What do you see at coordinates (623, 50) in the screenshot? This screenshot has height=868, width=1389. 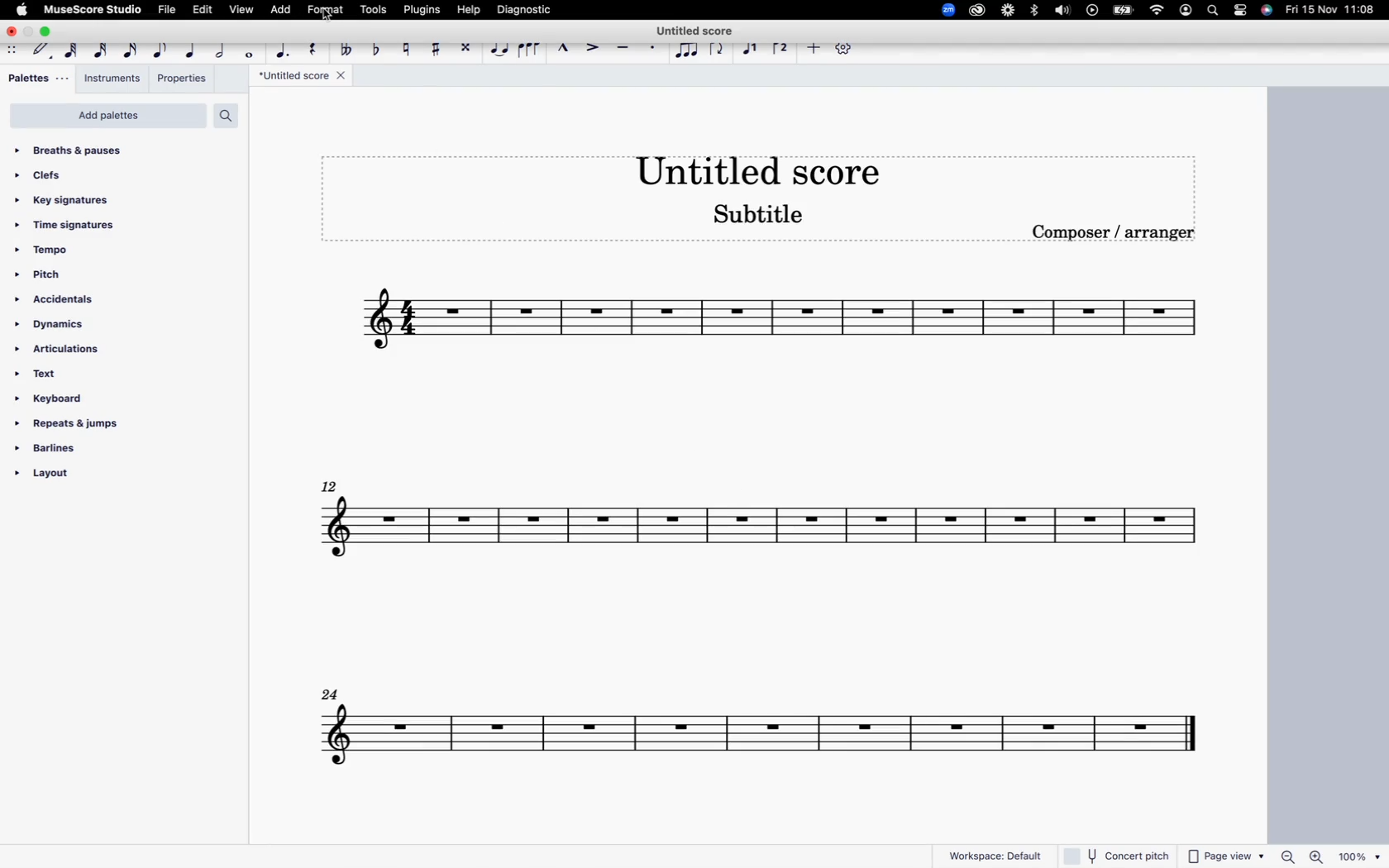 I see `tenuto` at bounding box center [623, 50].